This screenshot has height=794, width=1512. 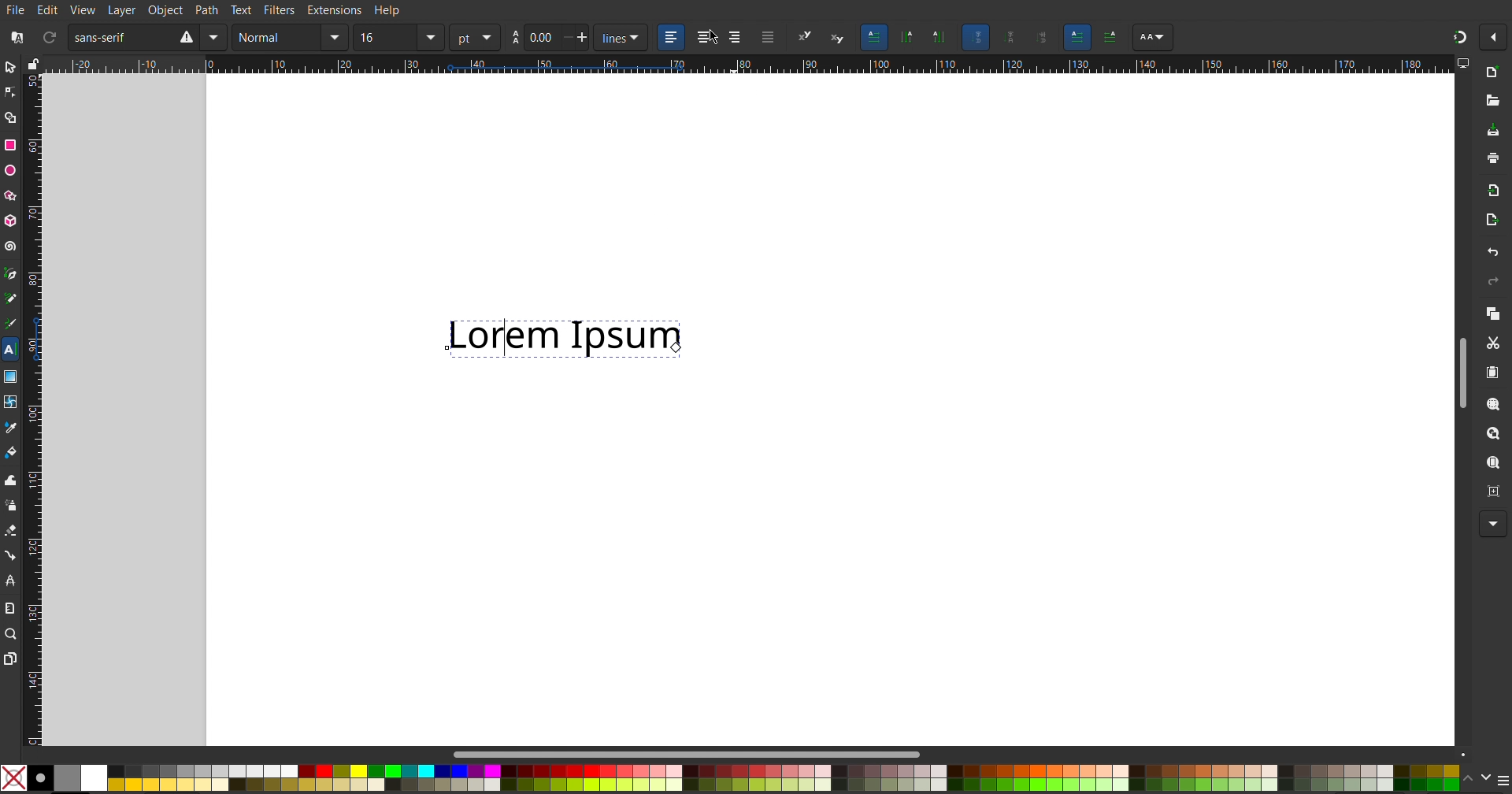 I want to click on Right to left text, so click(x=1113, y=37).